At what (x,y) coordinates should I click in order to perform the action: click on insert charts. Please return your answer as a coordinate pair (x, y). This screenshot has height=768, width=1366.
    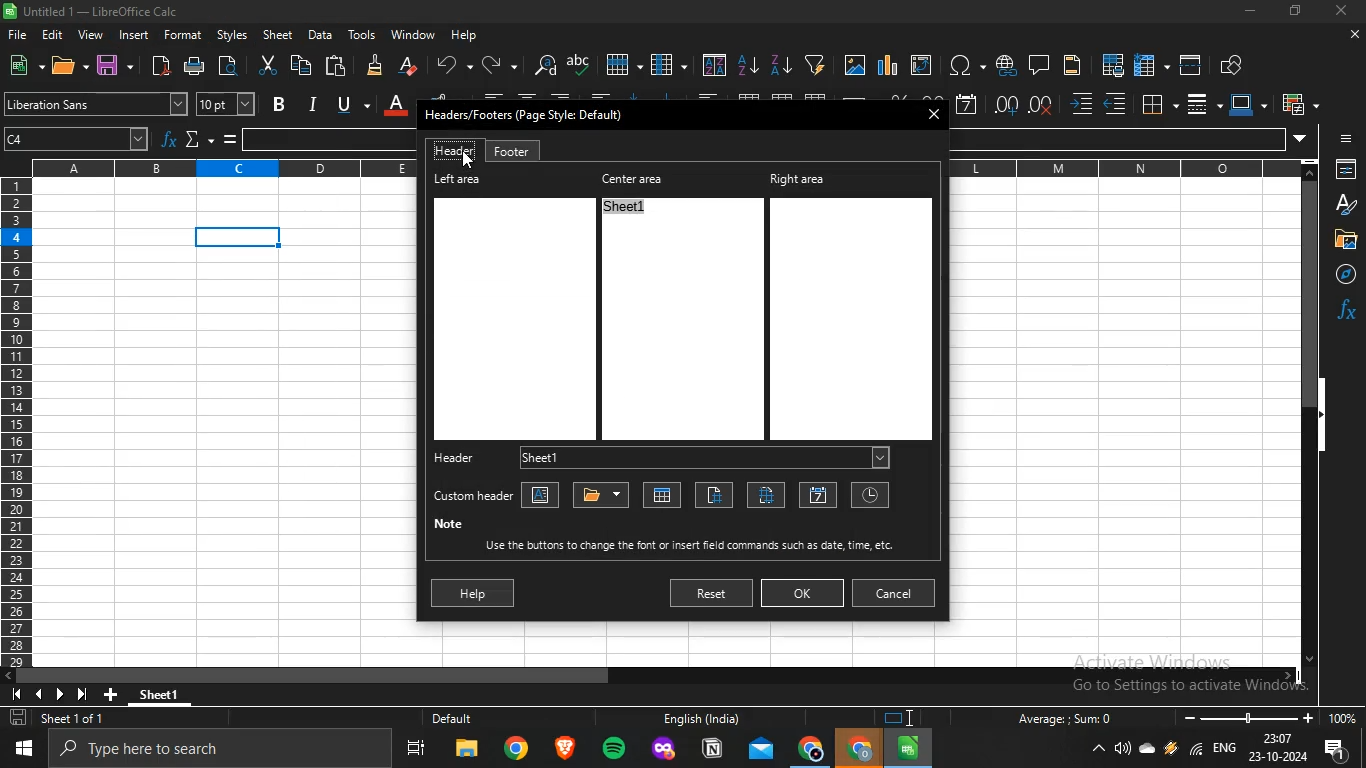
    Looking at the image, I should click on (888, 65).